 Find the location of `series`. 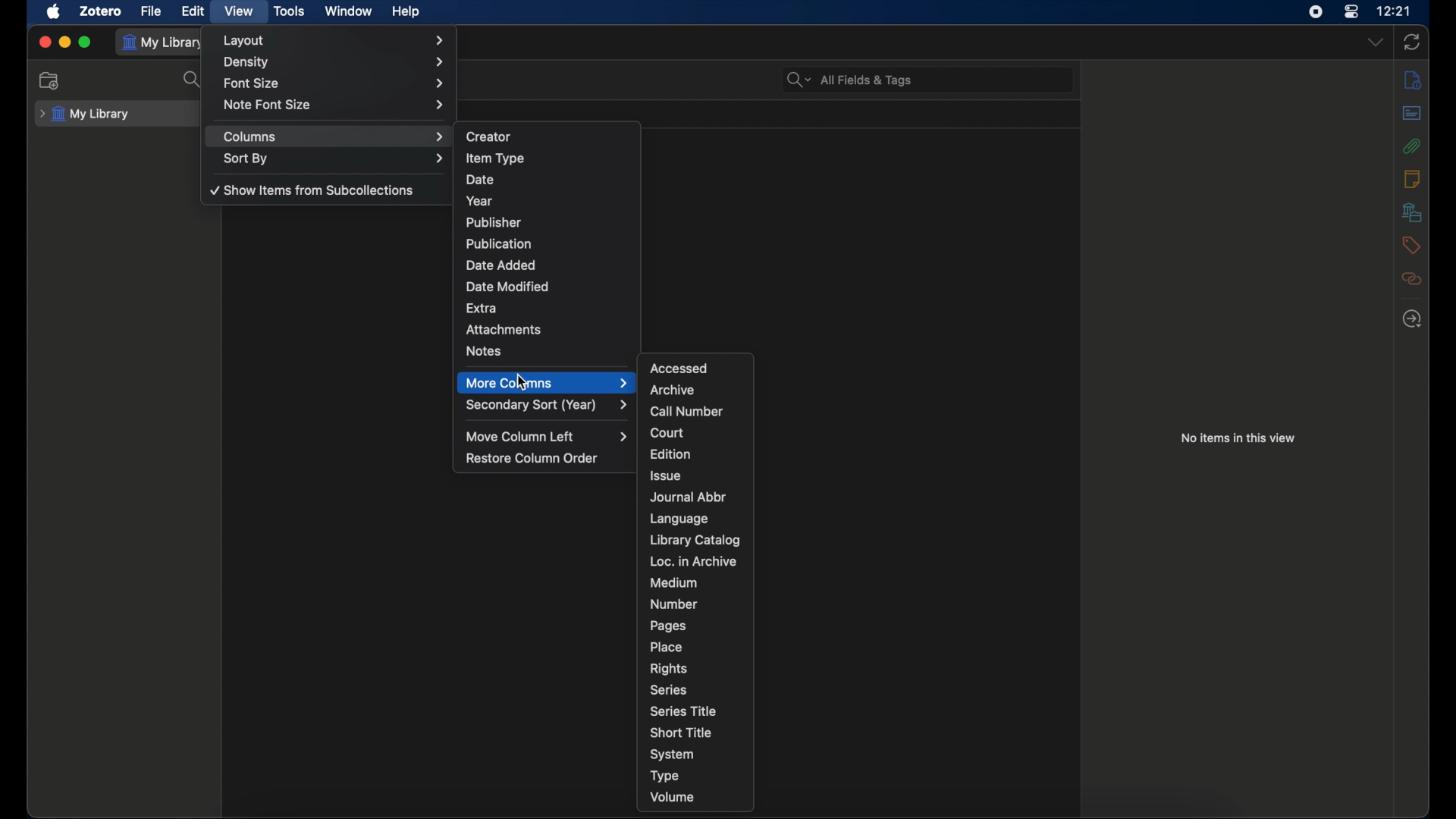

series is located at coordinates (670, 690).